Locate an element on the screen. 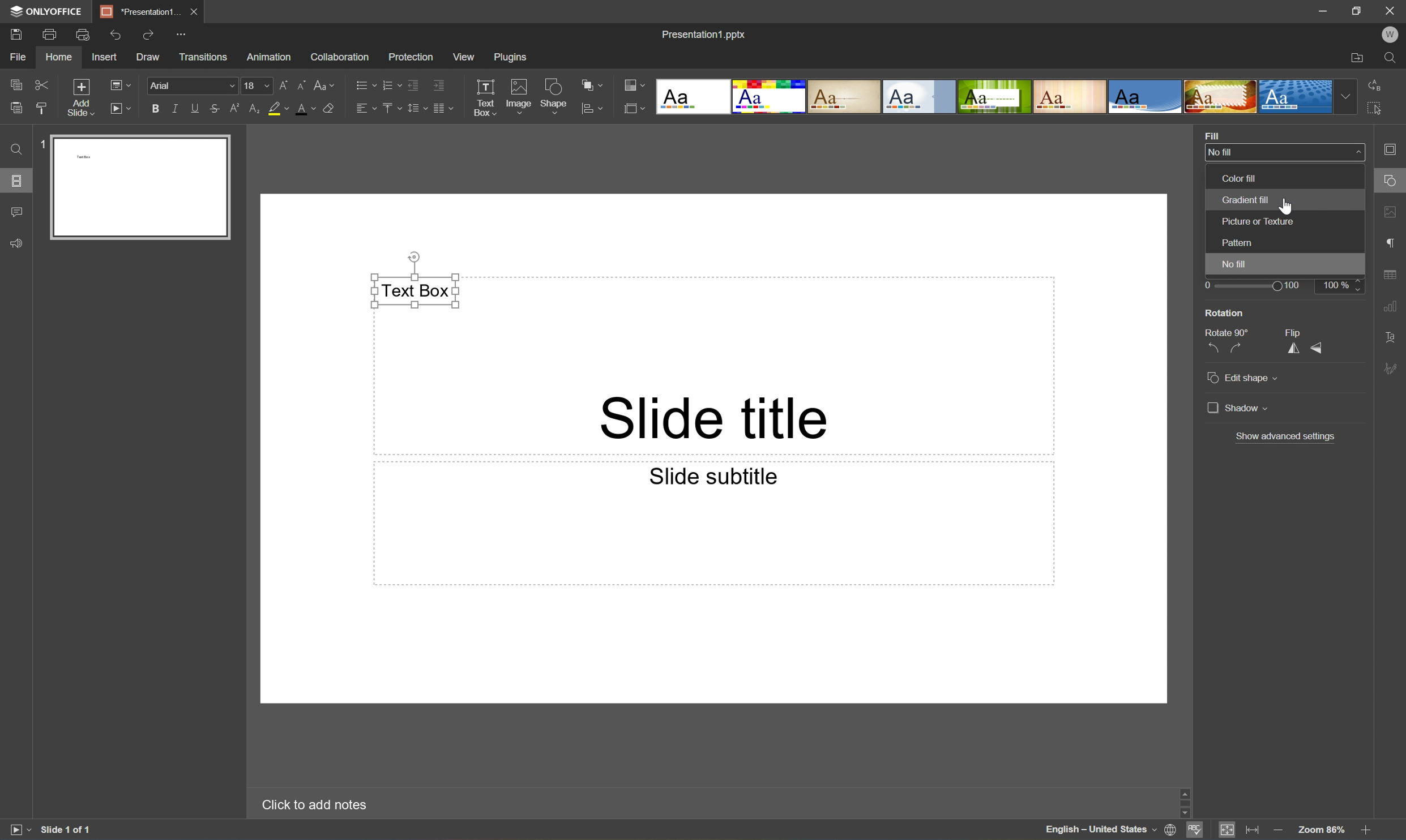 This screenshot has height=840, width=1406. Slide title is located at coordinates (718, 419).